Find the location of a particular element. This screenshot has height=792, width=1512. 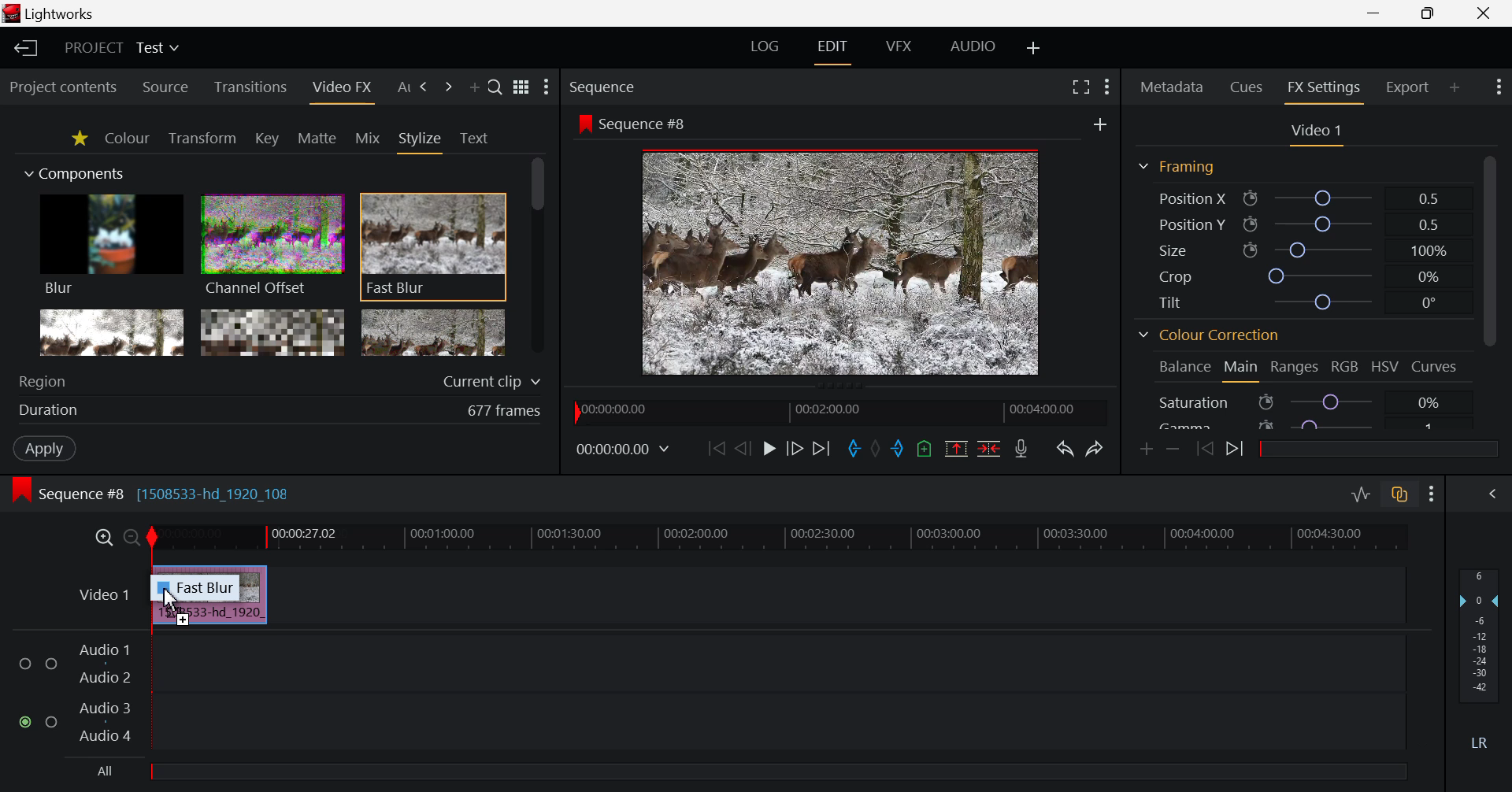

Size is located at coordinates (1307, 250).